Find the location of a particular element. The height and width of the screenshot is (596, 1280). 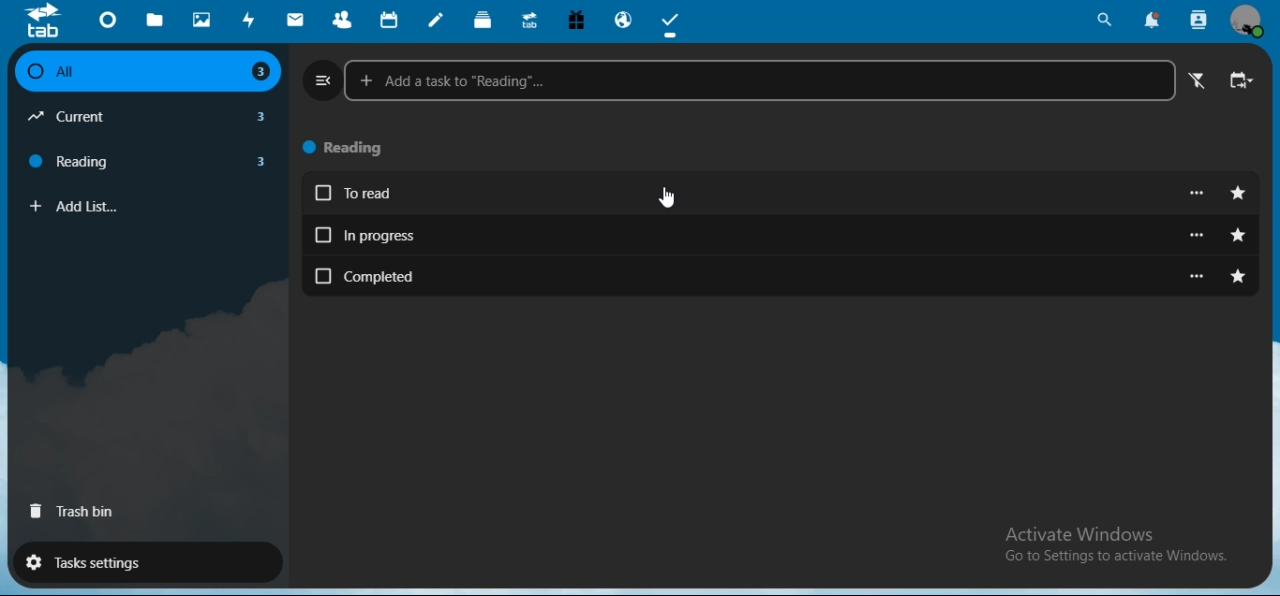

more is located at coordinates (1199, 235).